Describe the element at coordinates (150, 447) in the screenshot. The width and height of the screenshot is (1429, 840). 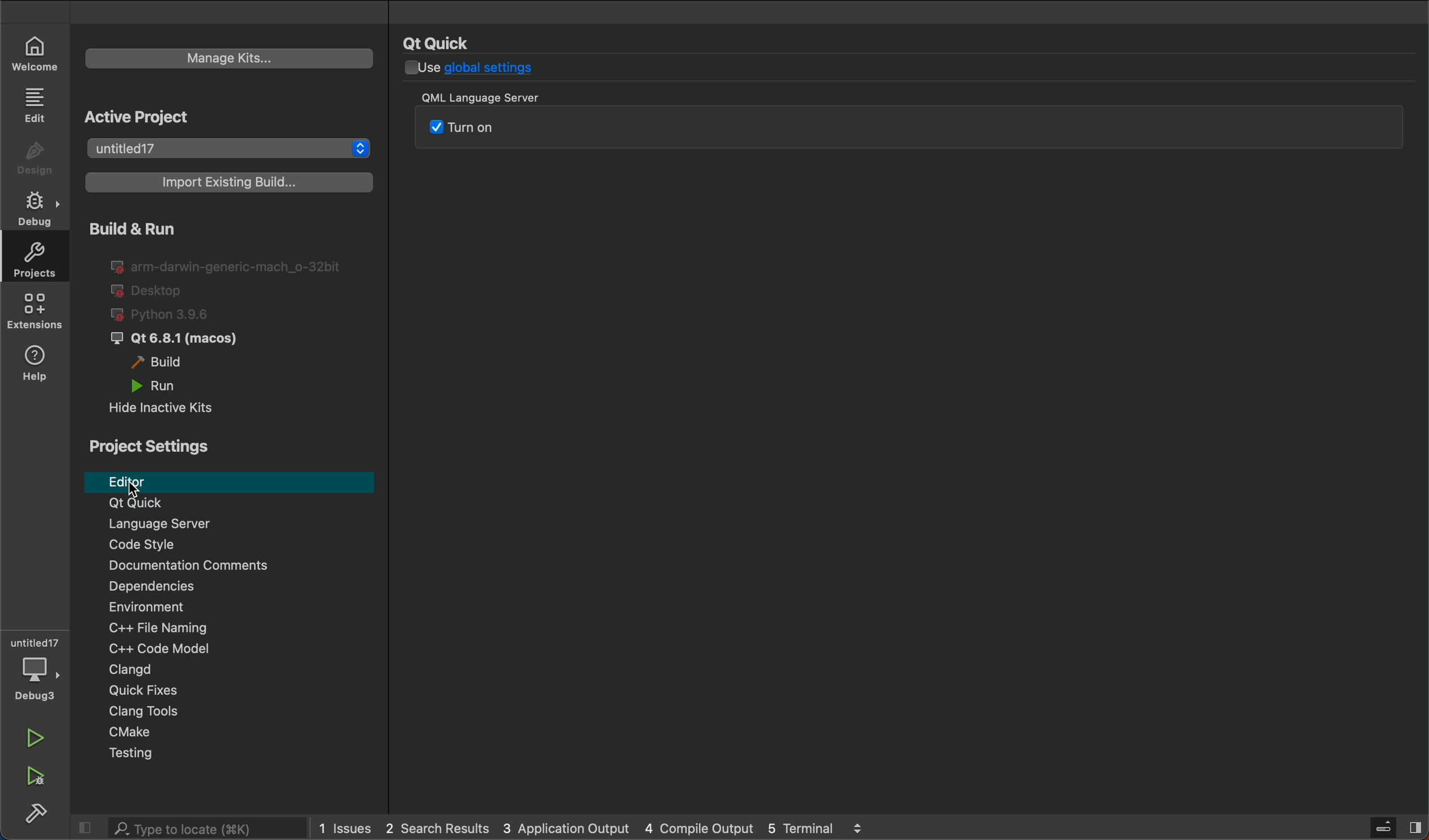
I see `project settings` at that location.